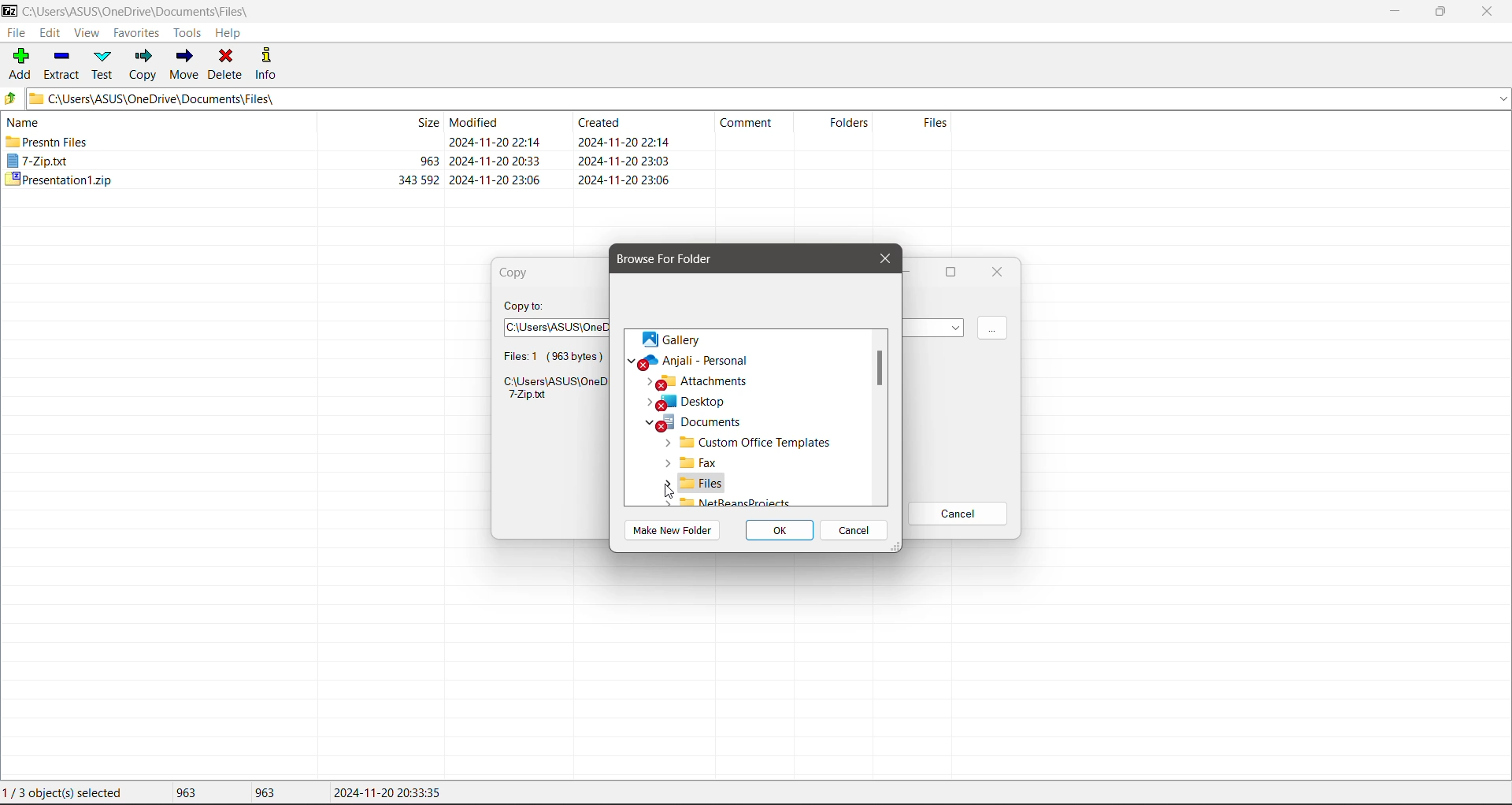  What do you see at coordinates (998, 273) in the screenshot?
I see `Close` at bounding box center [998, 273].